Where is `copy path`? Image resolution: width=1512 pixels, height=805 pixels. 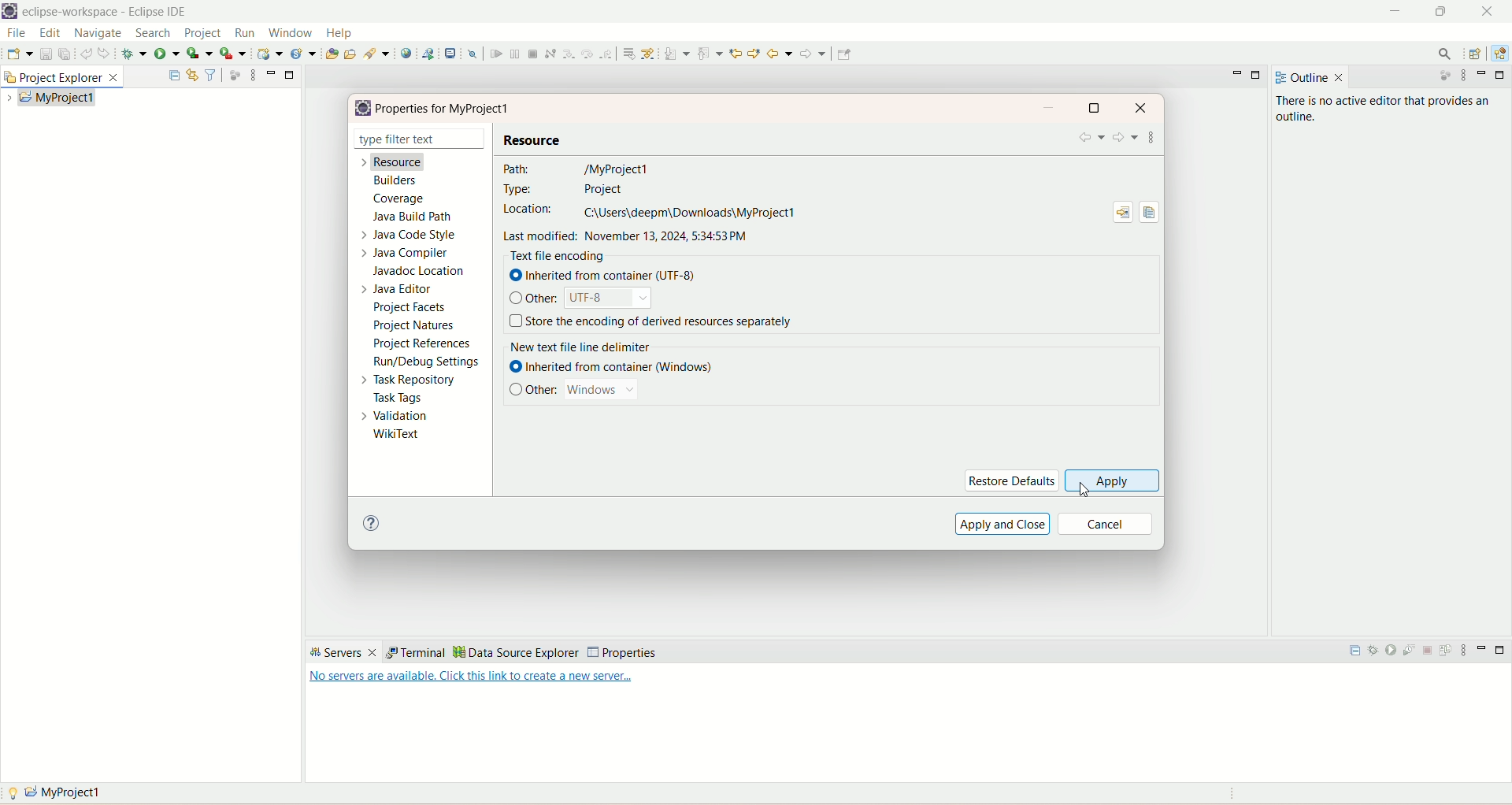
copy path is located at coordinates (1150, 214).